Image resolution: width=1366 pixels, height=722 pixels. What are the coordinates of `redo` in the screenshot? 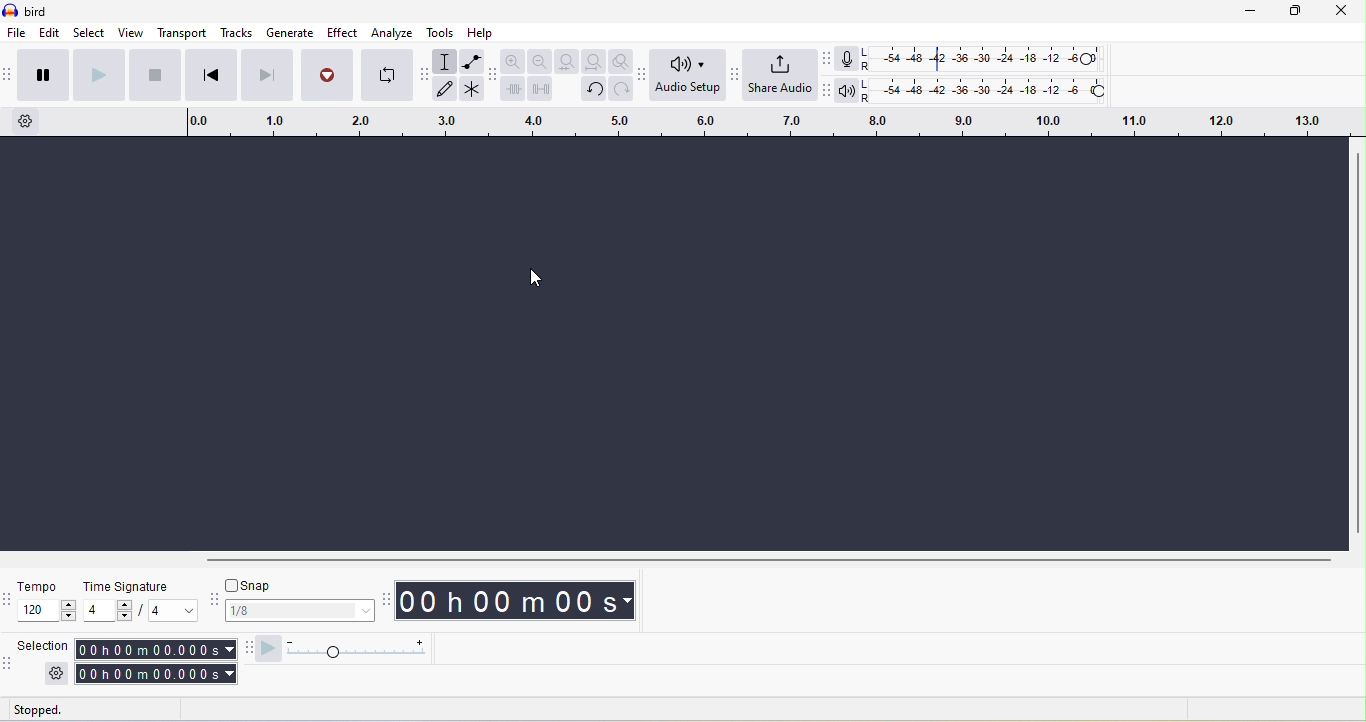 It's located at (622, 92).